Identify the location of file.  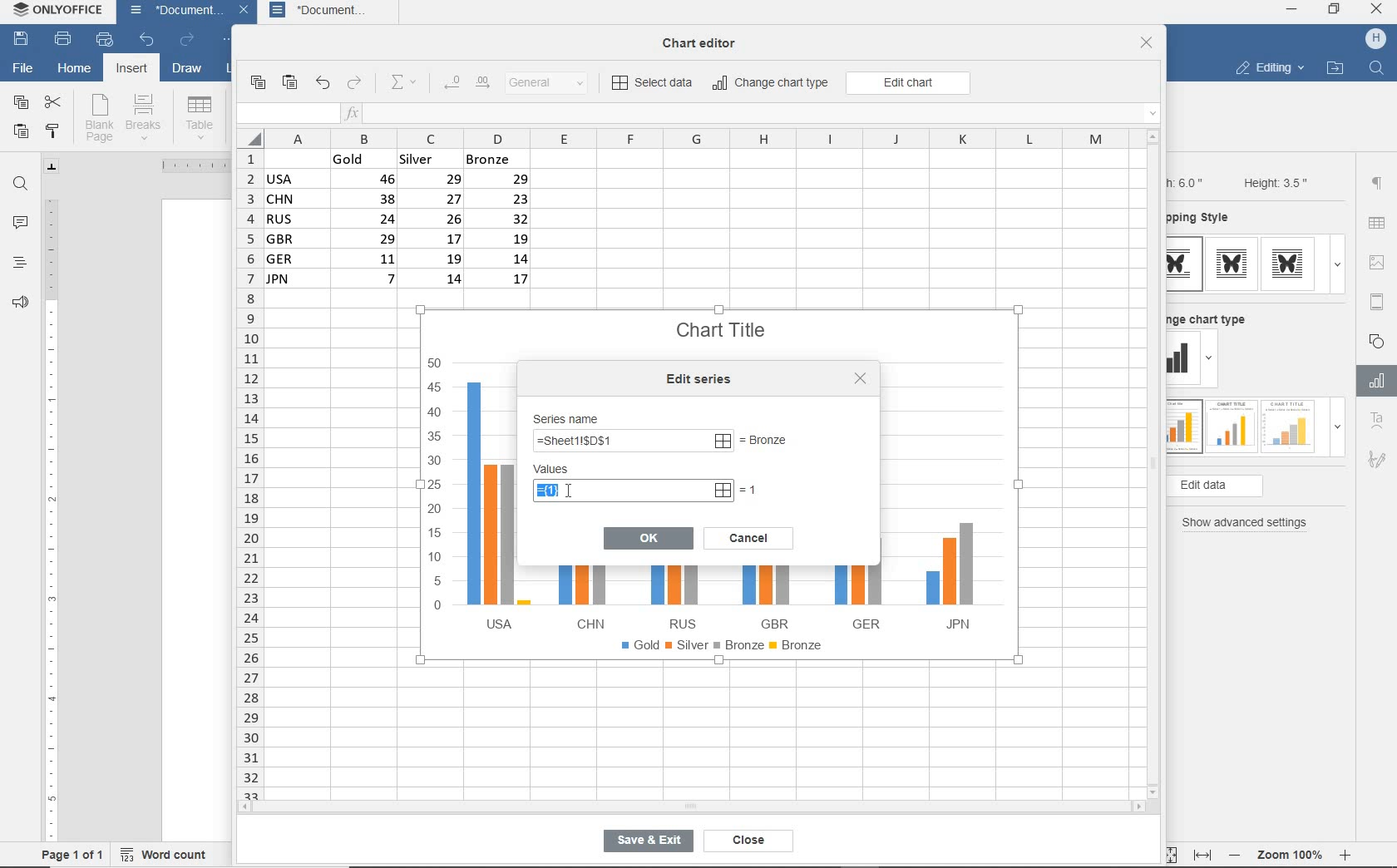
(22, 67).